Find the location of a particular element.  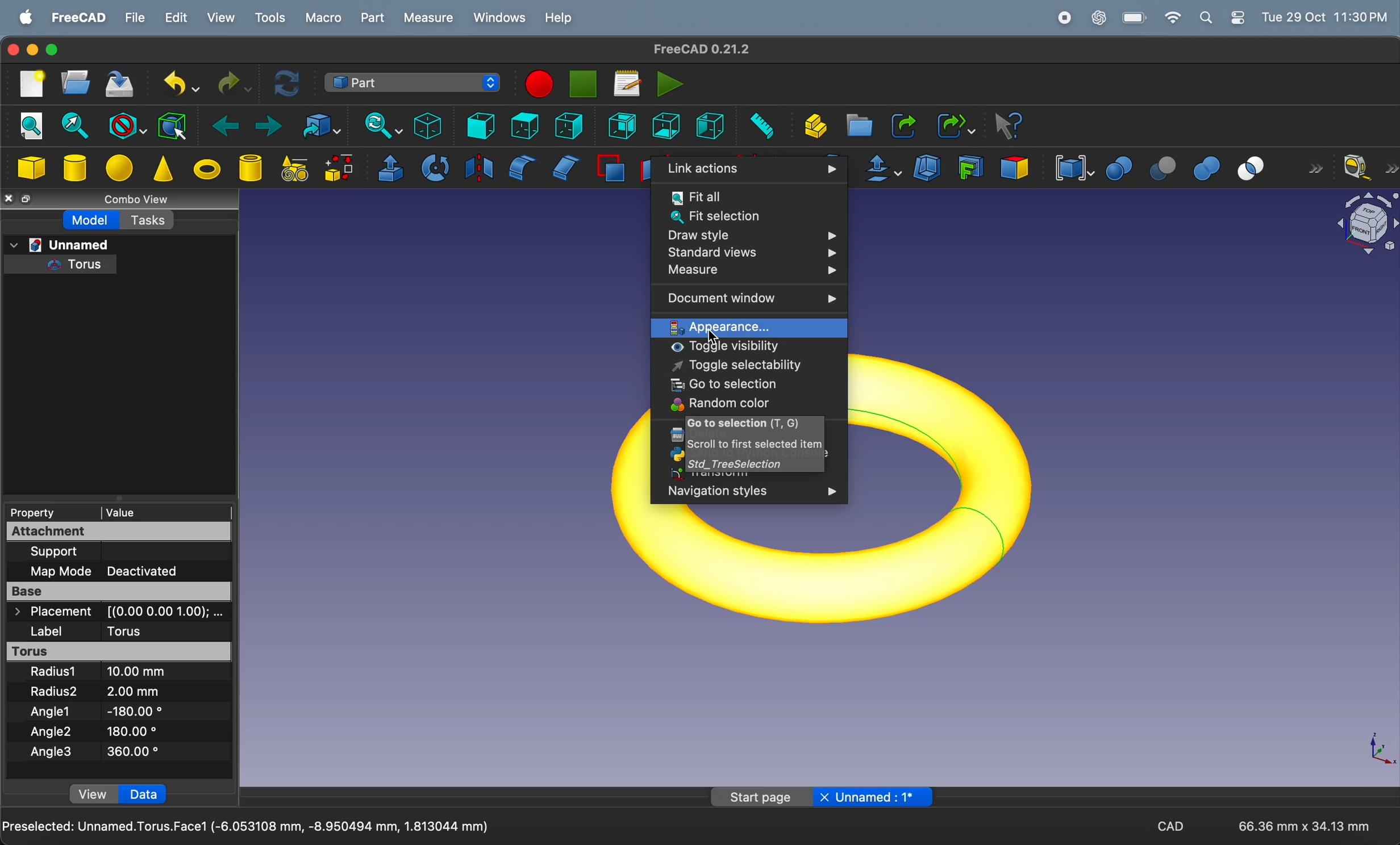

help is located at coordinates (560, 18).